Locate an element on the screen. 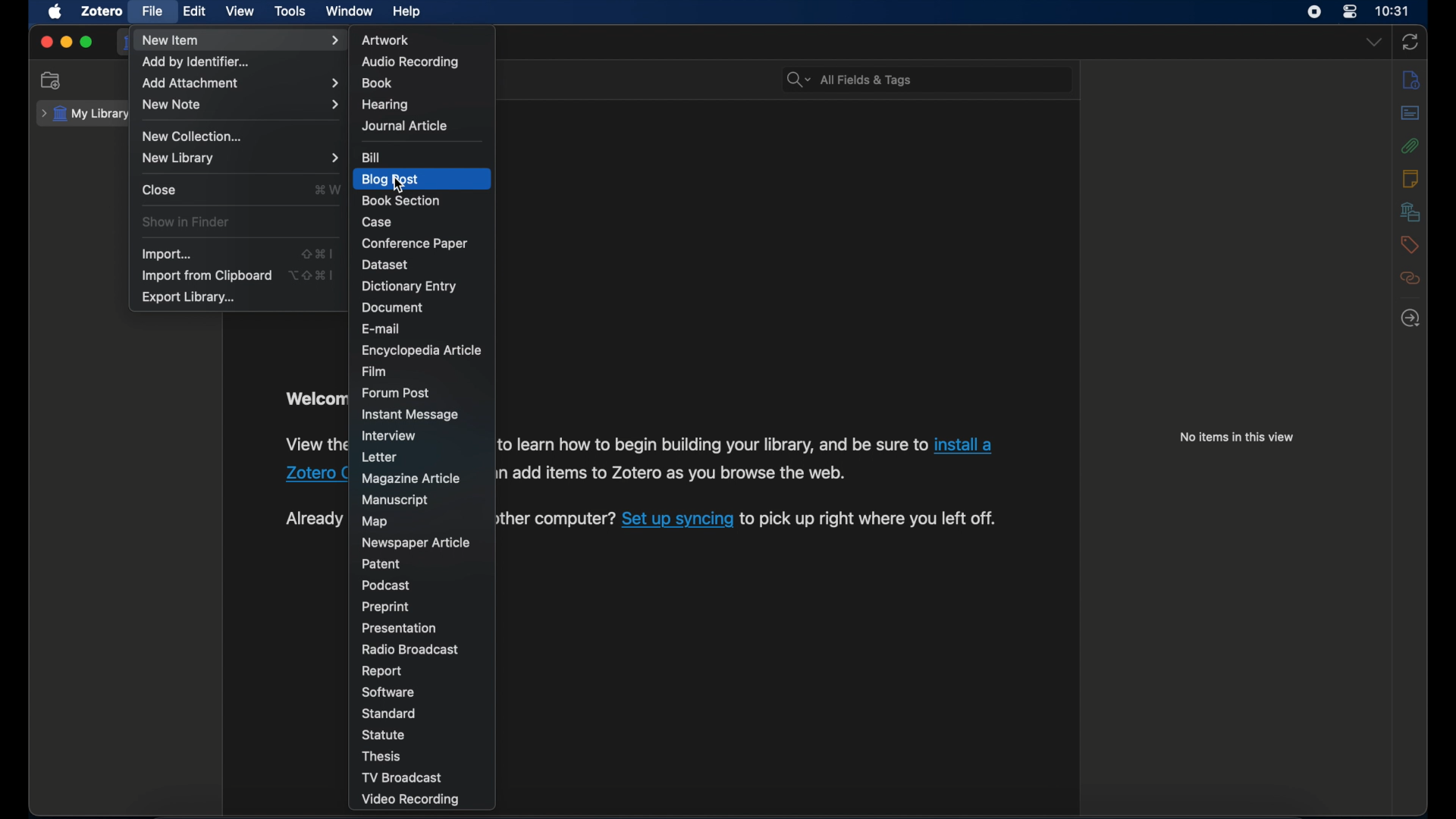  standard is located at coordinates (388, 713).